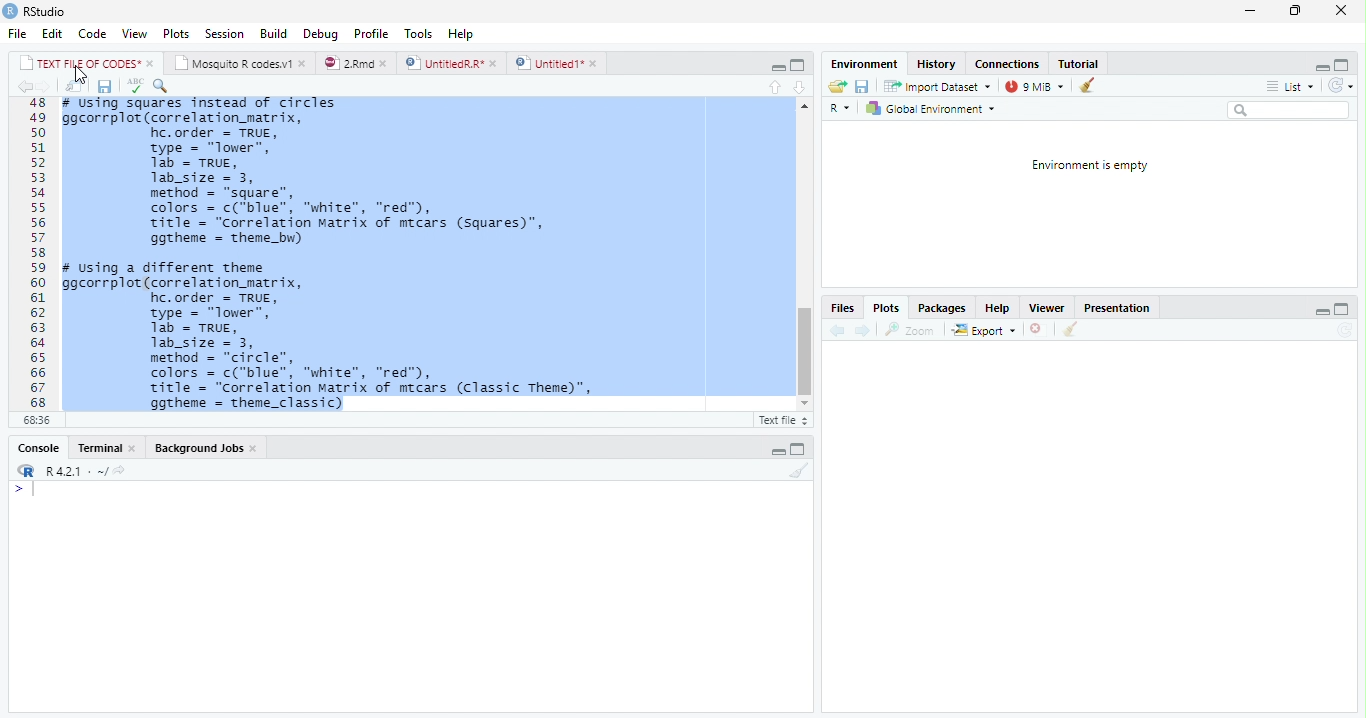 The width and height of the screenshot is (1366, 718). What do you see at coordinates (803, 258) in the screenshot?
I see `vertical scroll bar` at bounding box center [803, 258].